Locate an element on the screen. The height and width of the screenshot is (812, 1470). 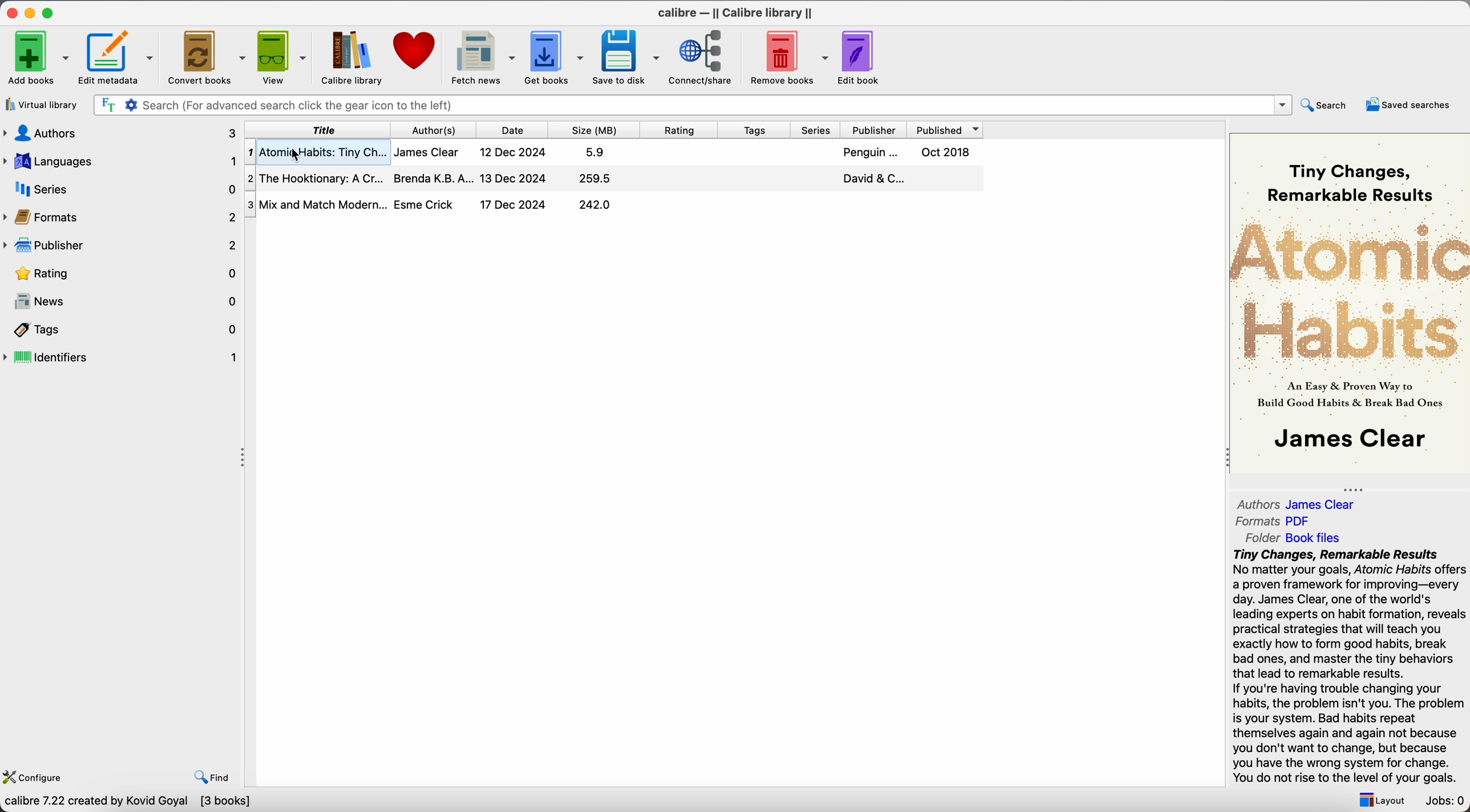
Penguin... is located at coordinates (870, 152).